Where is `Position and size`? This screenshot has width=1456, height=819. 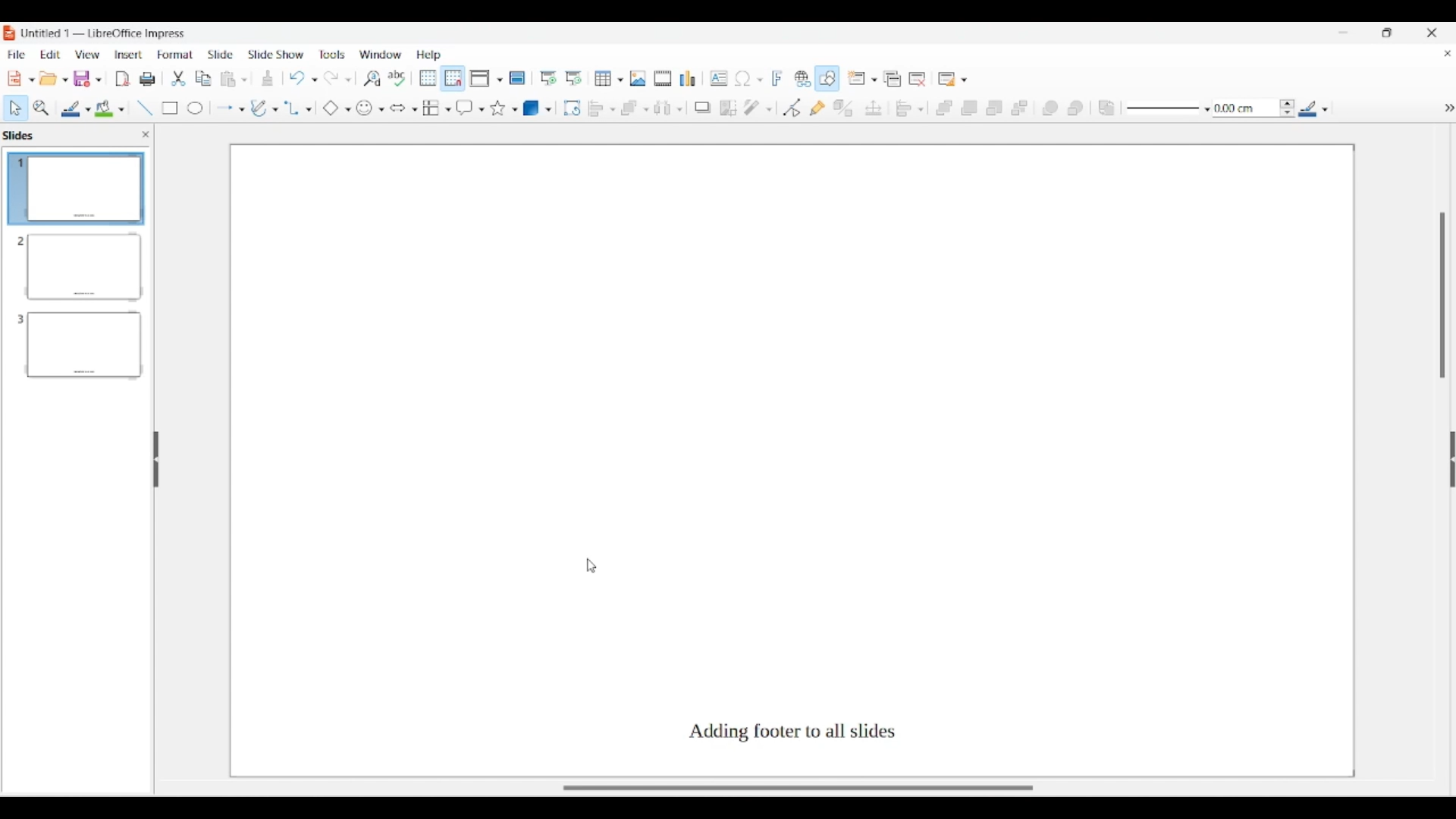 Position and size is located at coordinates (874, 108).